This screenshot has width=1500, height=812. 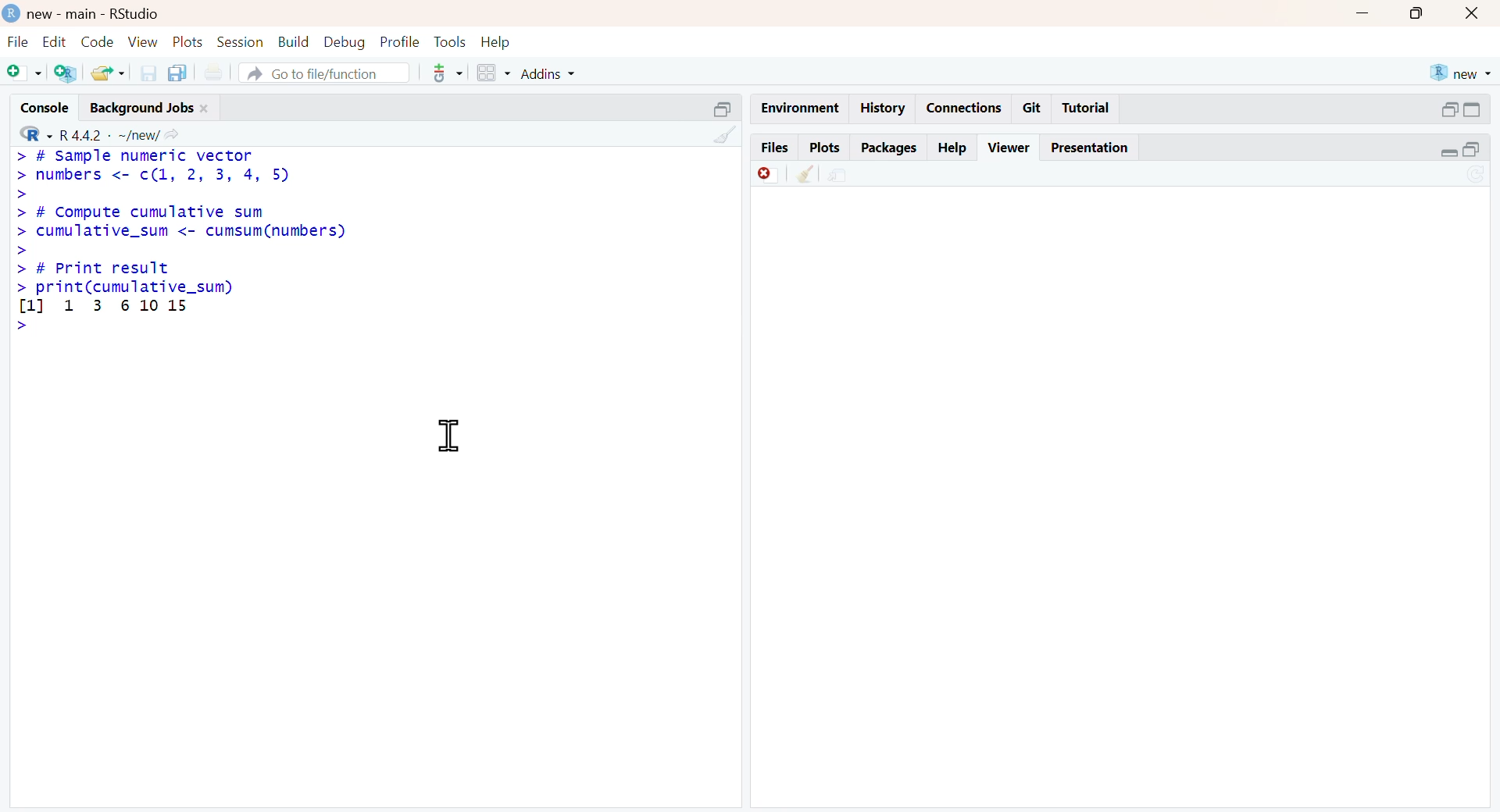 I want to click on R 4.4.2 ~/new/, so click(x=109, y=135).